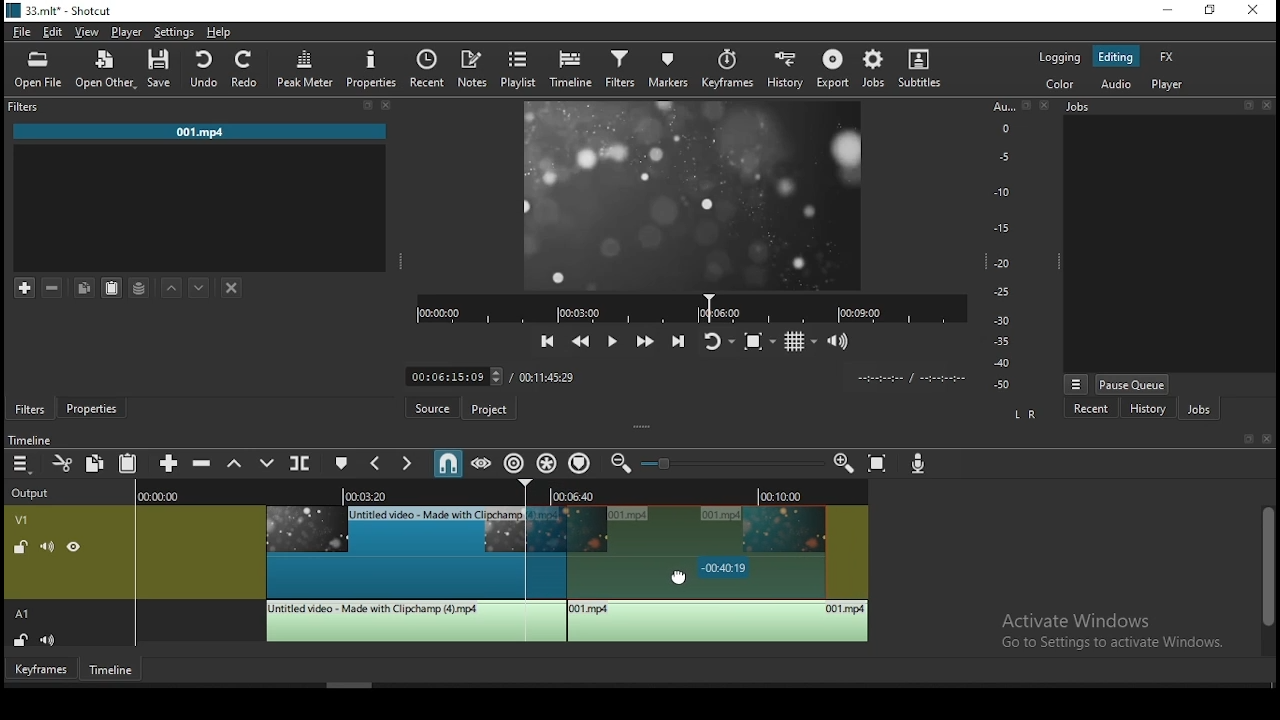  I want to click on settings, so click(172, 33).